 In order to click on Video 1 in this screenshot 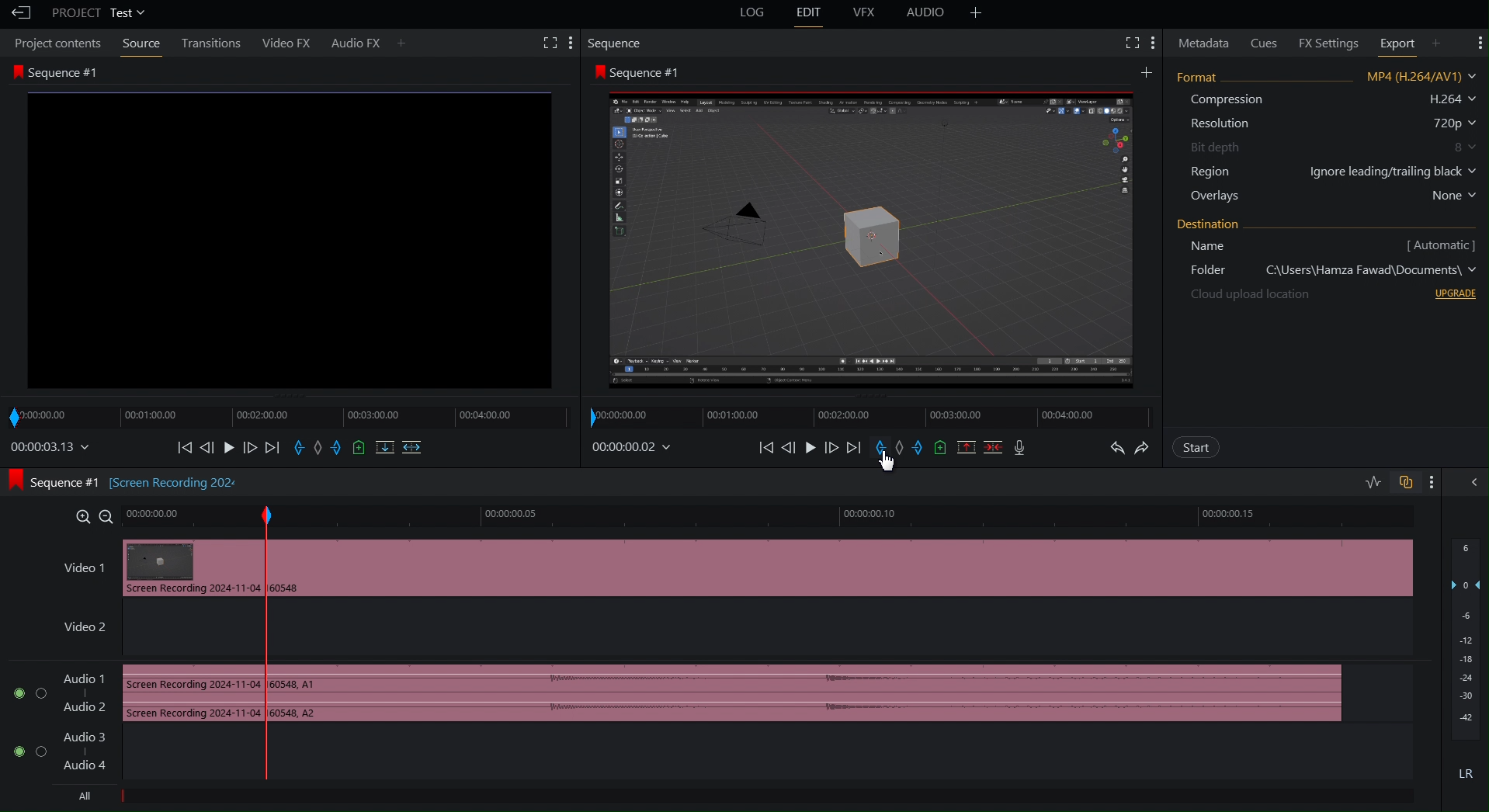, I will do `click(78, 565)`.